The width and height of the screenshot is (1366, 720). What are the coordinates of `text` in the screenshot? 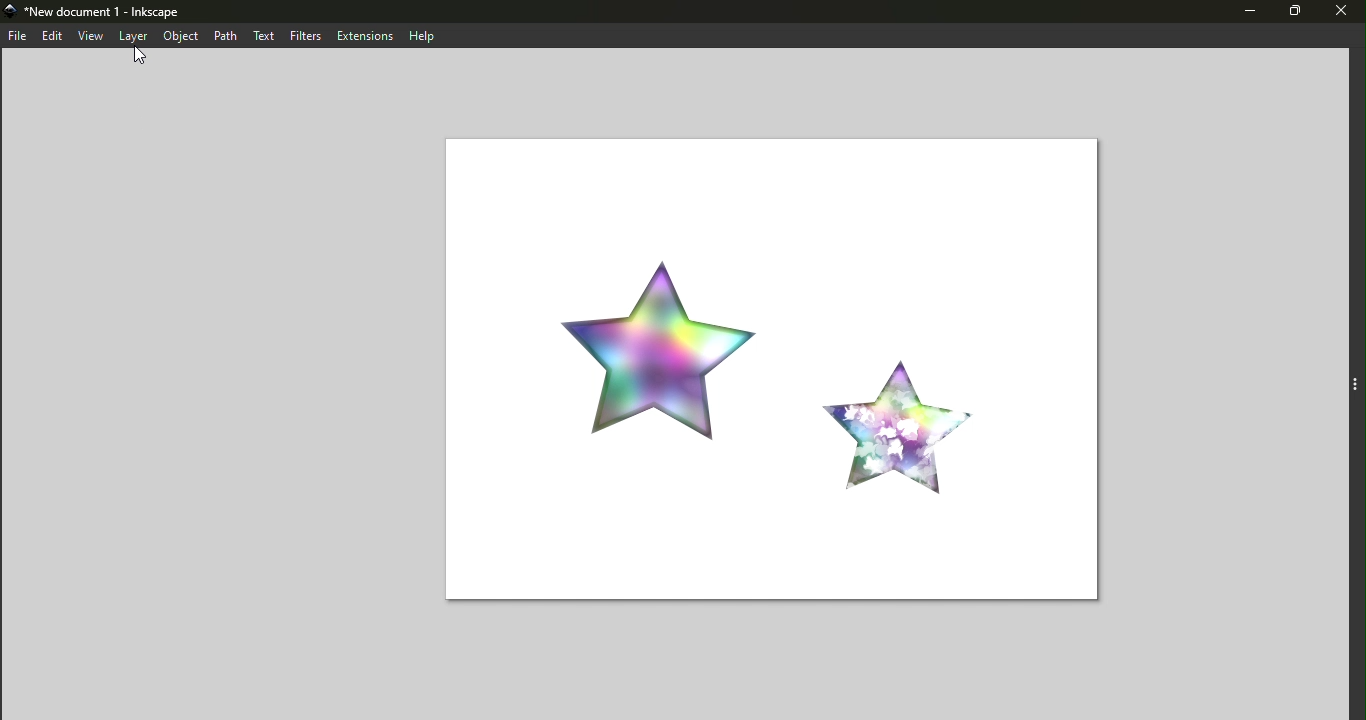 It's located at (265, 35).